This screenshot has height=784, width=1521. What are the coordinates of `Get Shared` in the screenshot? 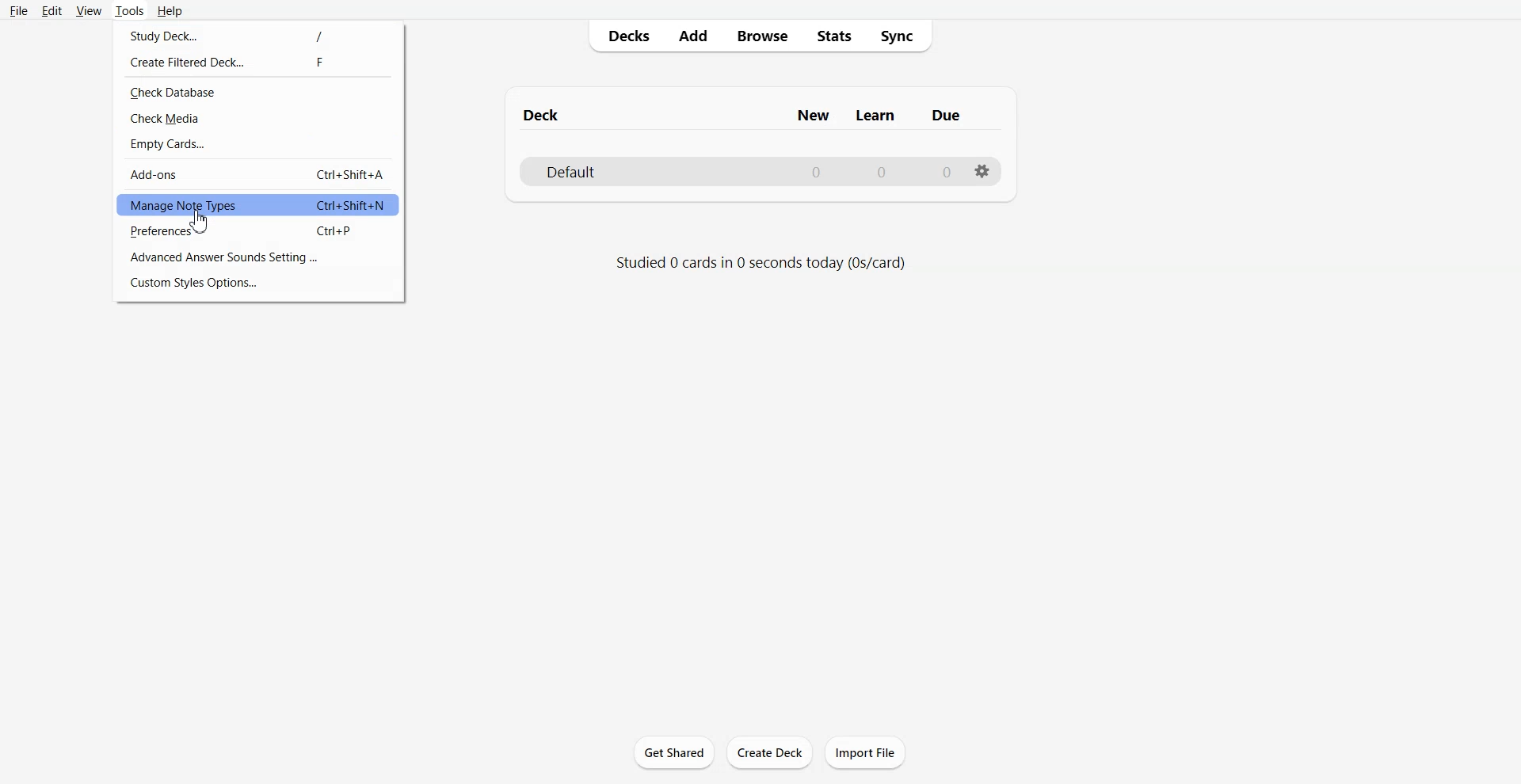 It's located at (673, 752).